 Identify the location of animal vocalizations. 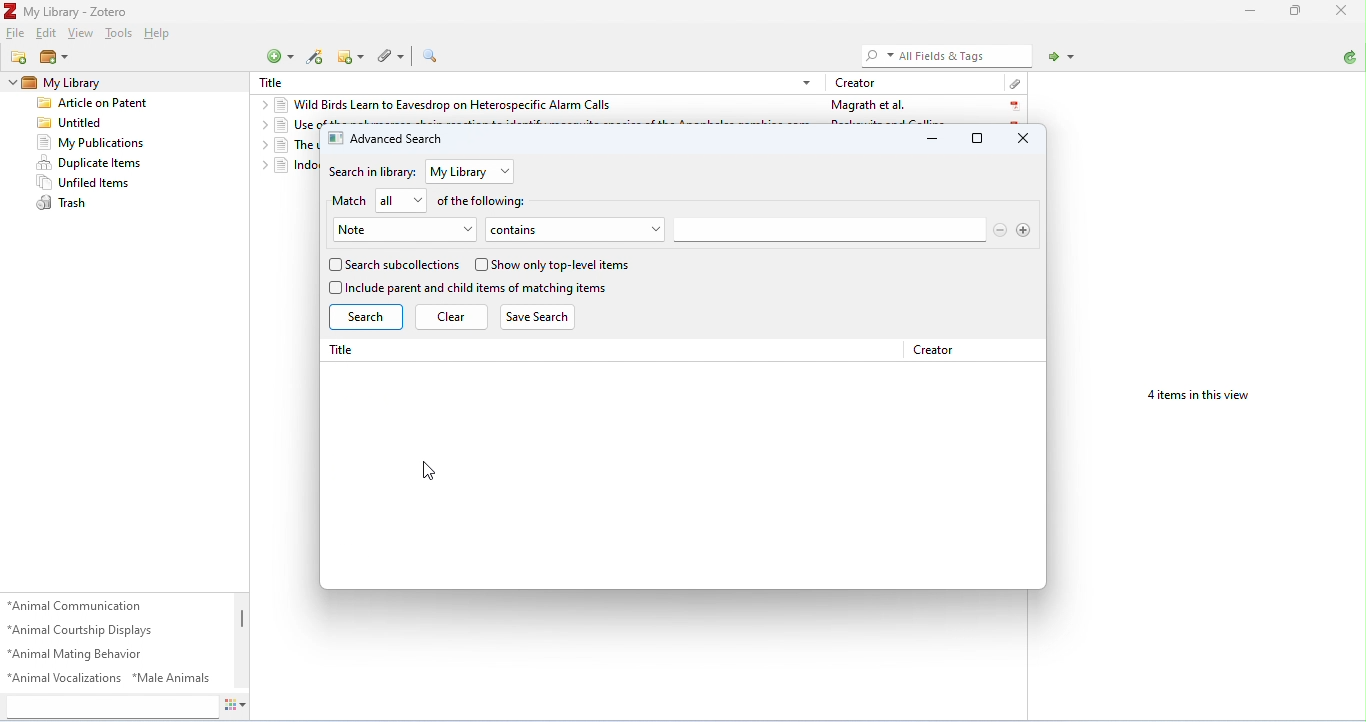
(65, 677).